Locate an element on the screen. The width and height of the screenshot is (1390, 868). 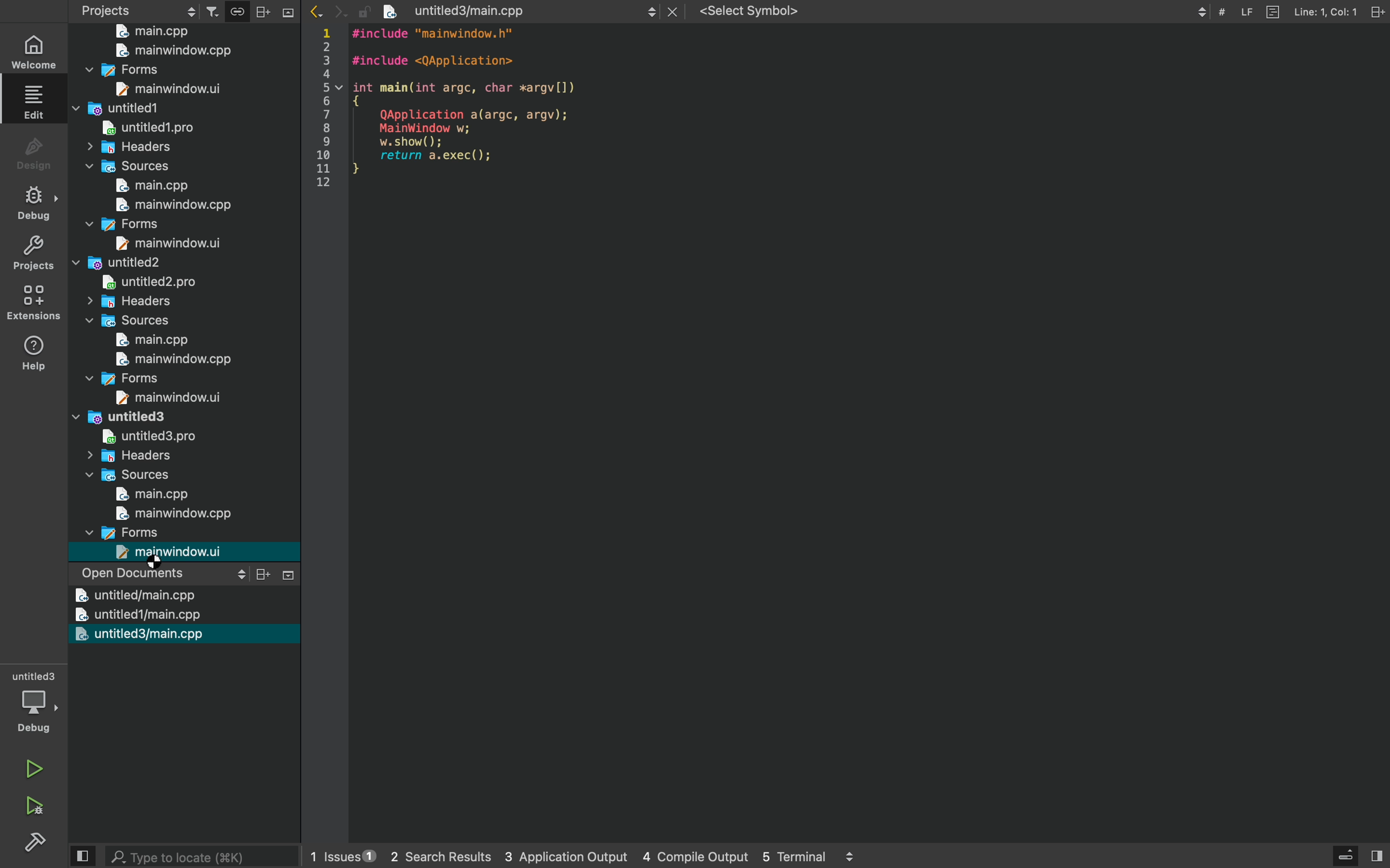
main is located at coordinates (151, 31).